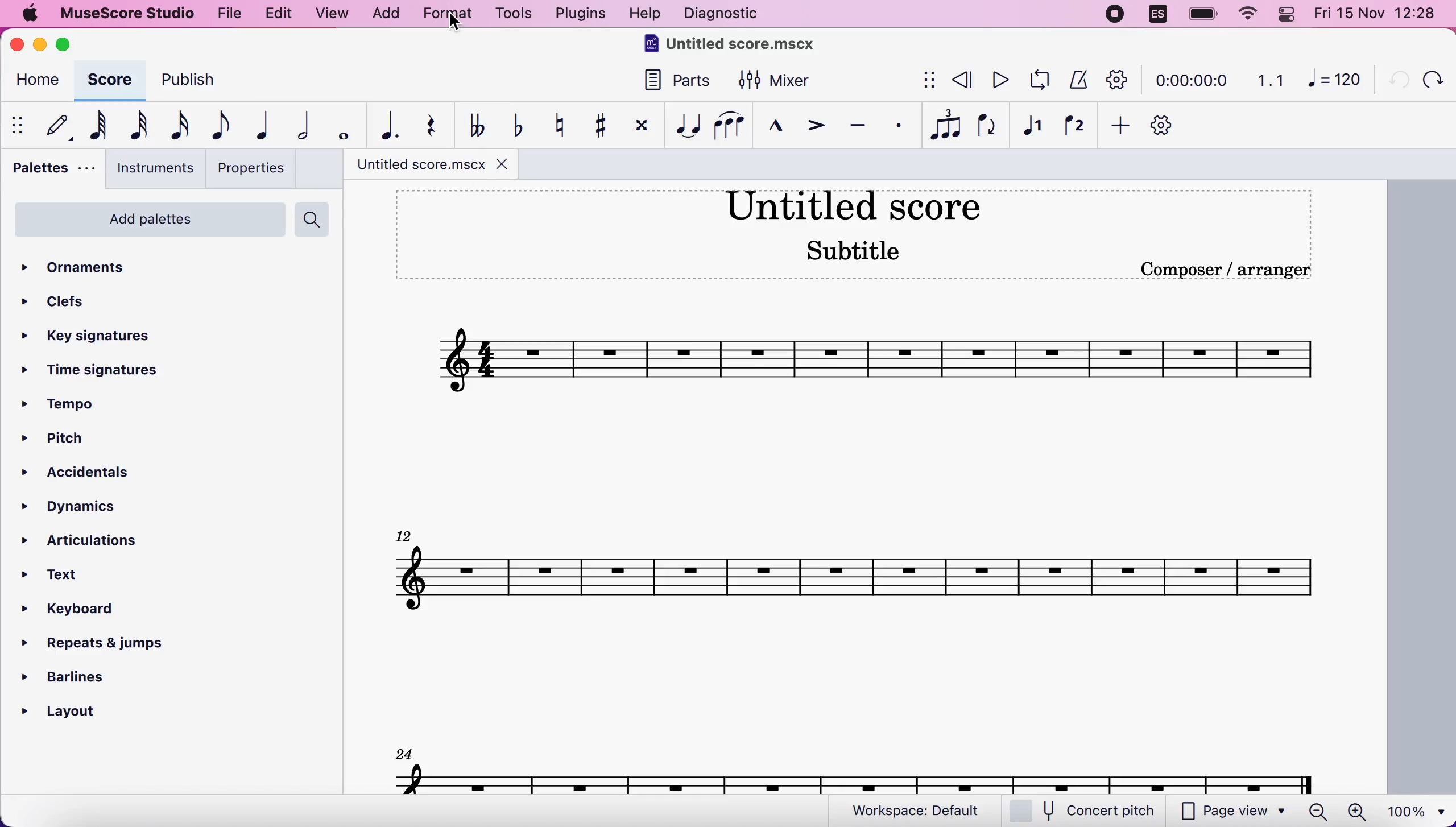  Describe the element at coordinates (67, 44) in the screenshot. I see `maximize` at that location.